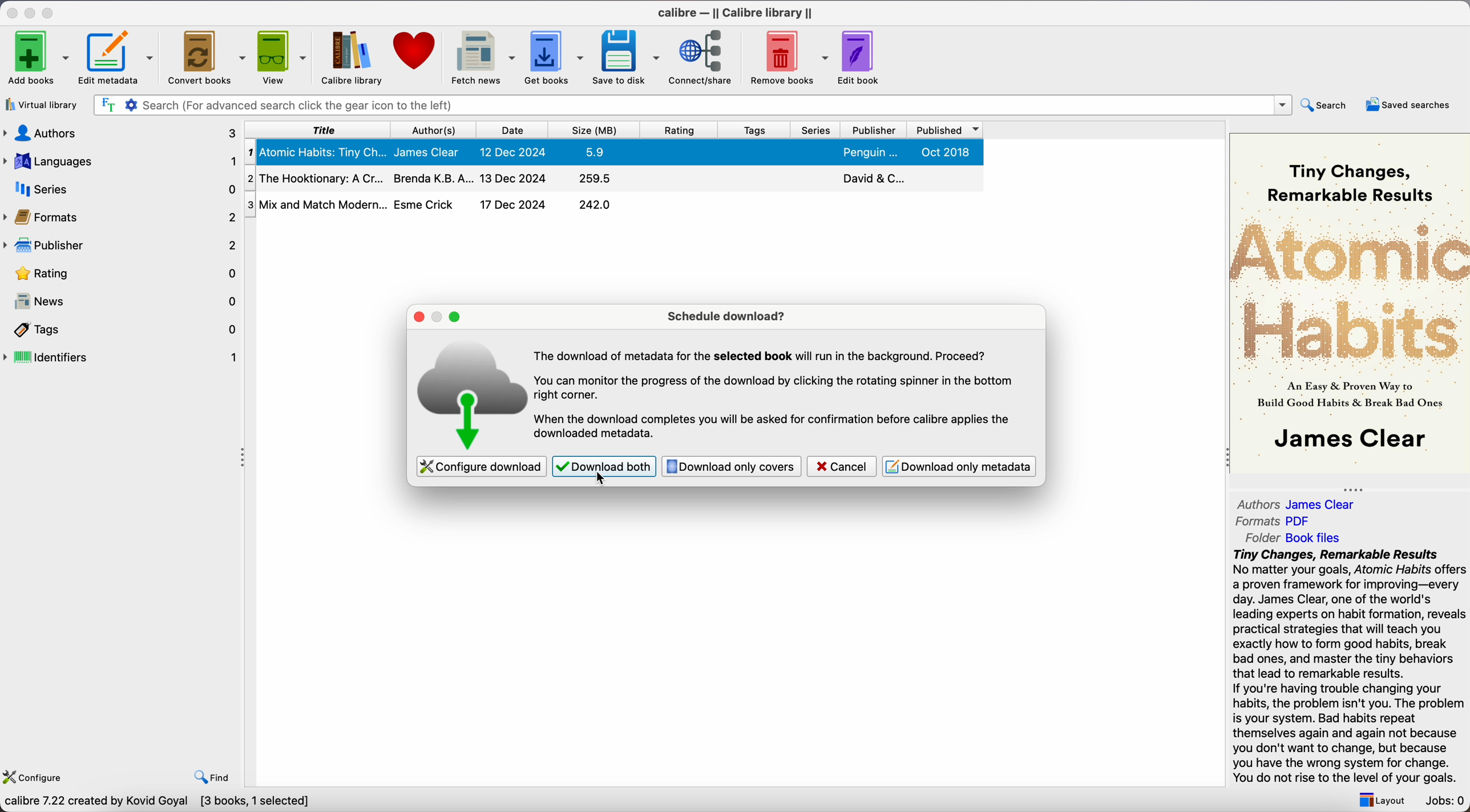 This screenshot has width=1470, height=812. I want to click on virtual library, so click(42, 104).